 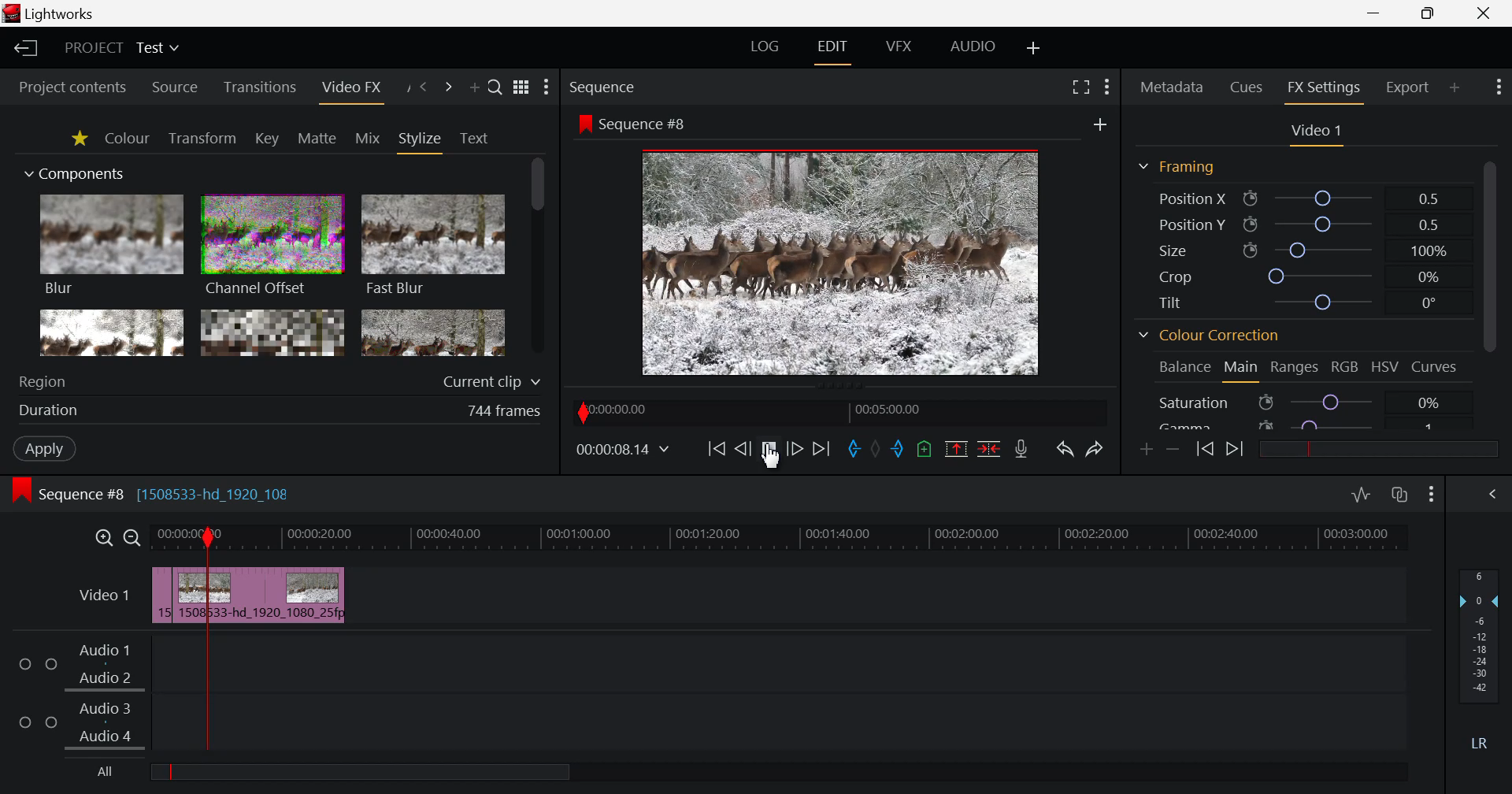 What do you see at coordinates (1376, 13) in the screenshot?
I see `Restore Down` at bounding box center [1376, 13].